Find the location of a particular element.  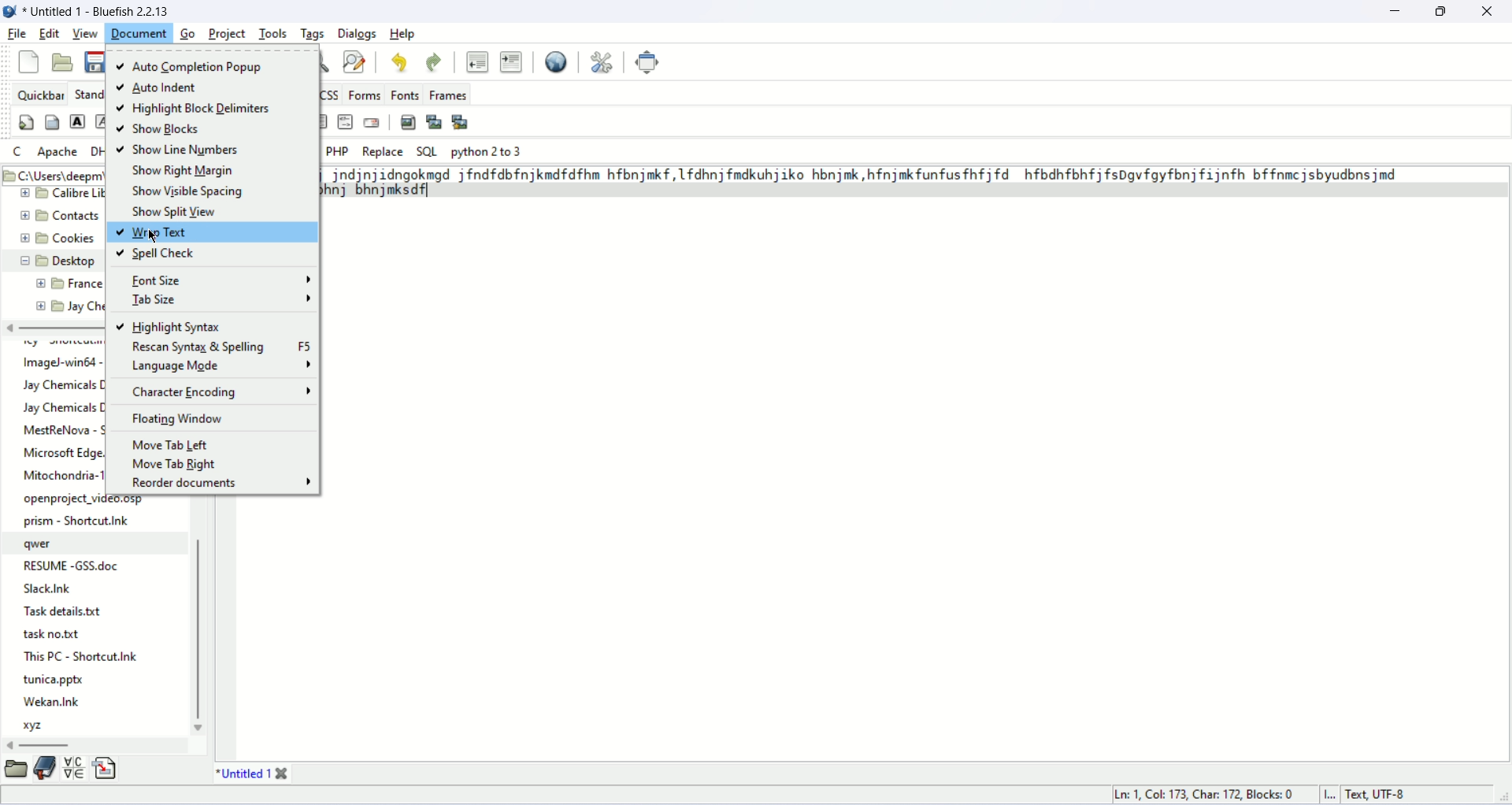

Apache is located at coordinates (57, 152).